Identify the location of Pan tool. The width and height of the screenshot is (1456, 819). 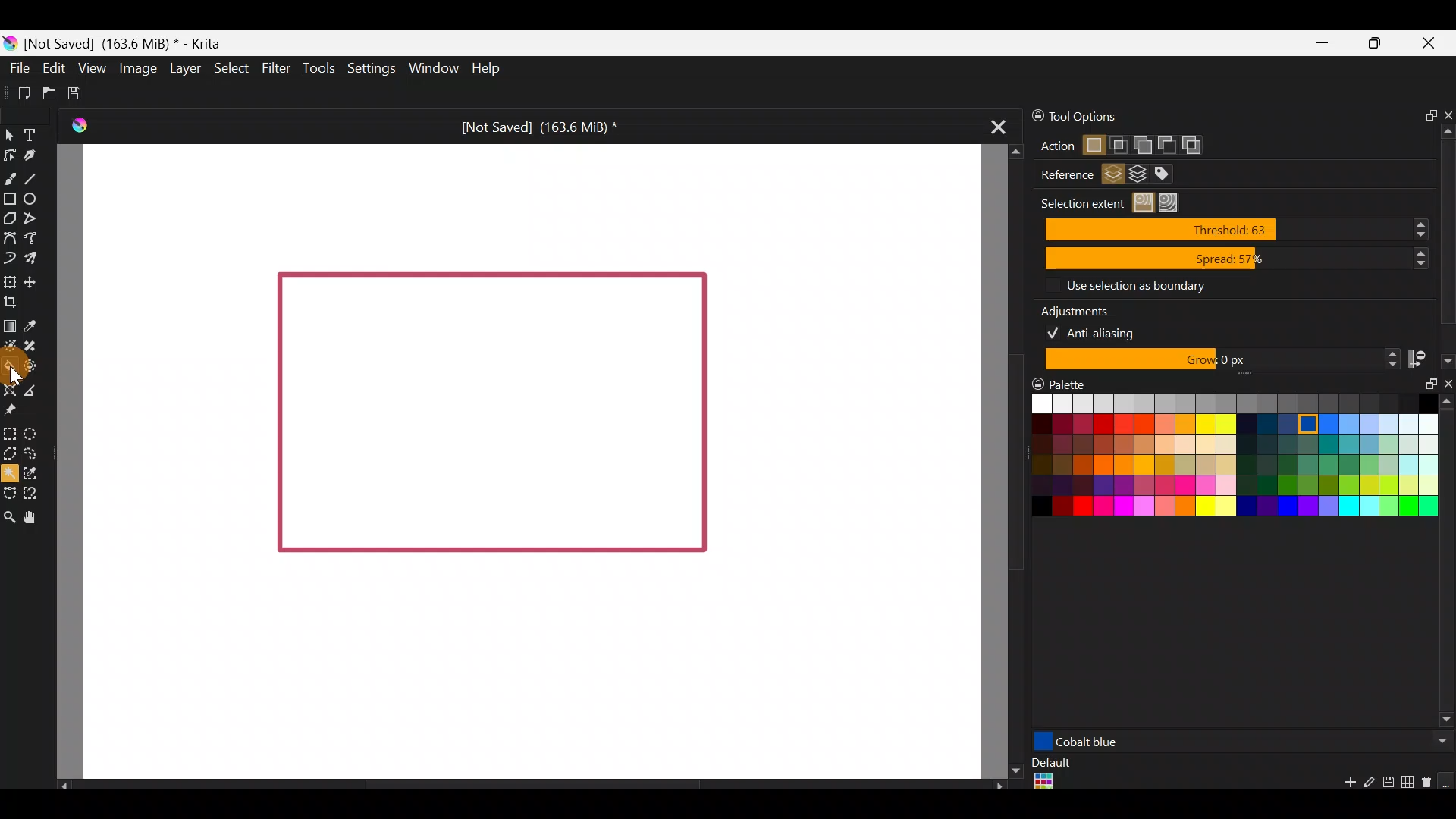
(35, 516).